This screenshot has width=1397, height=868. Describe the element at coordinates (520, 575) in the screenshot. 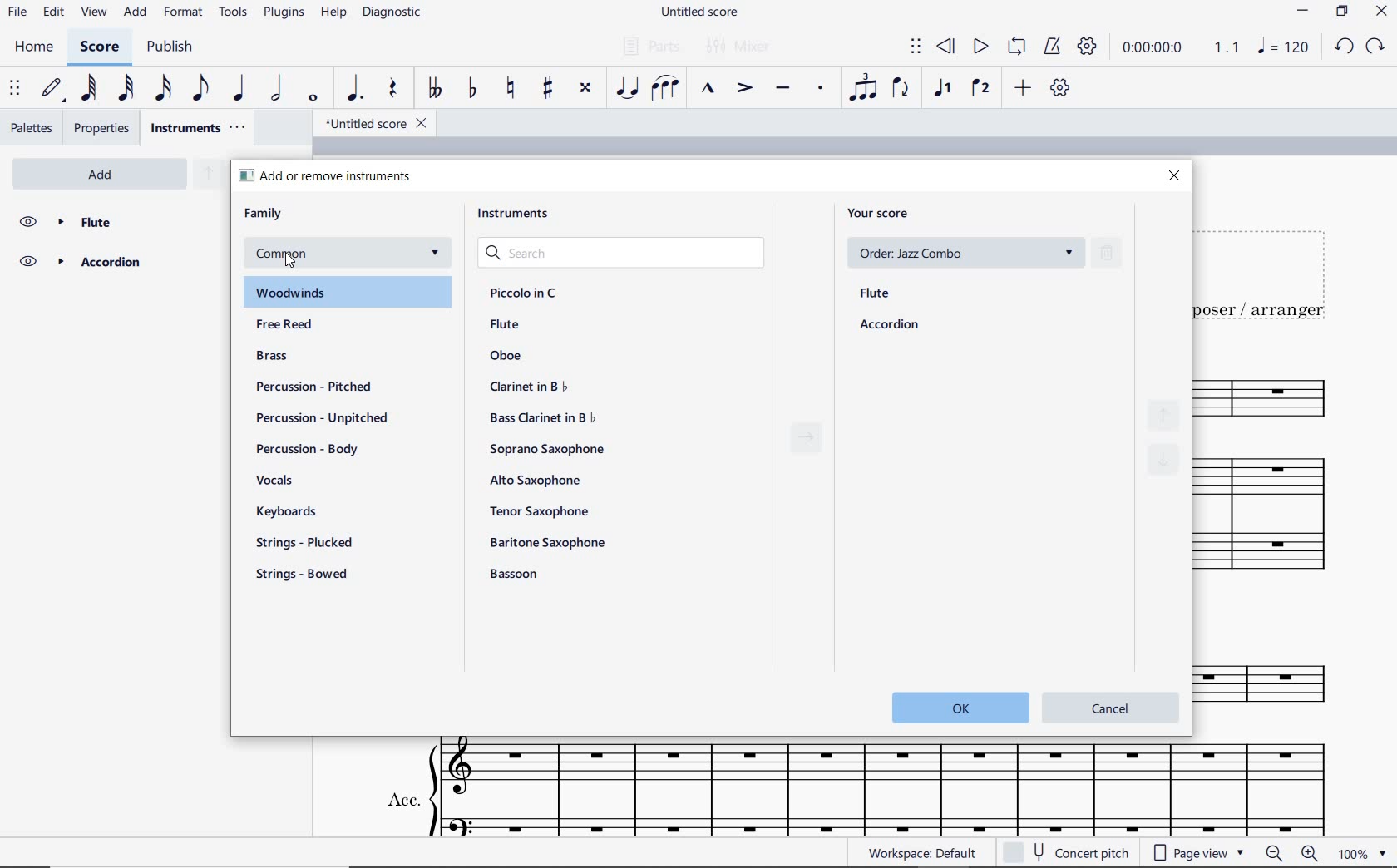

I see `Bassoon` at that location.